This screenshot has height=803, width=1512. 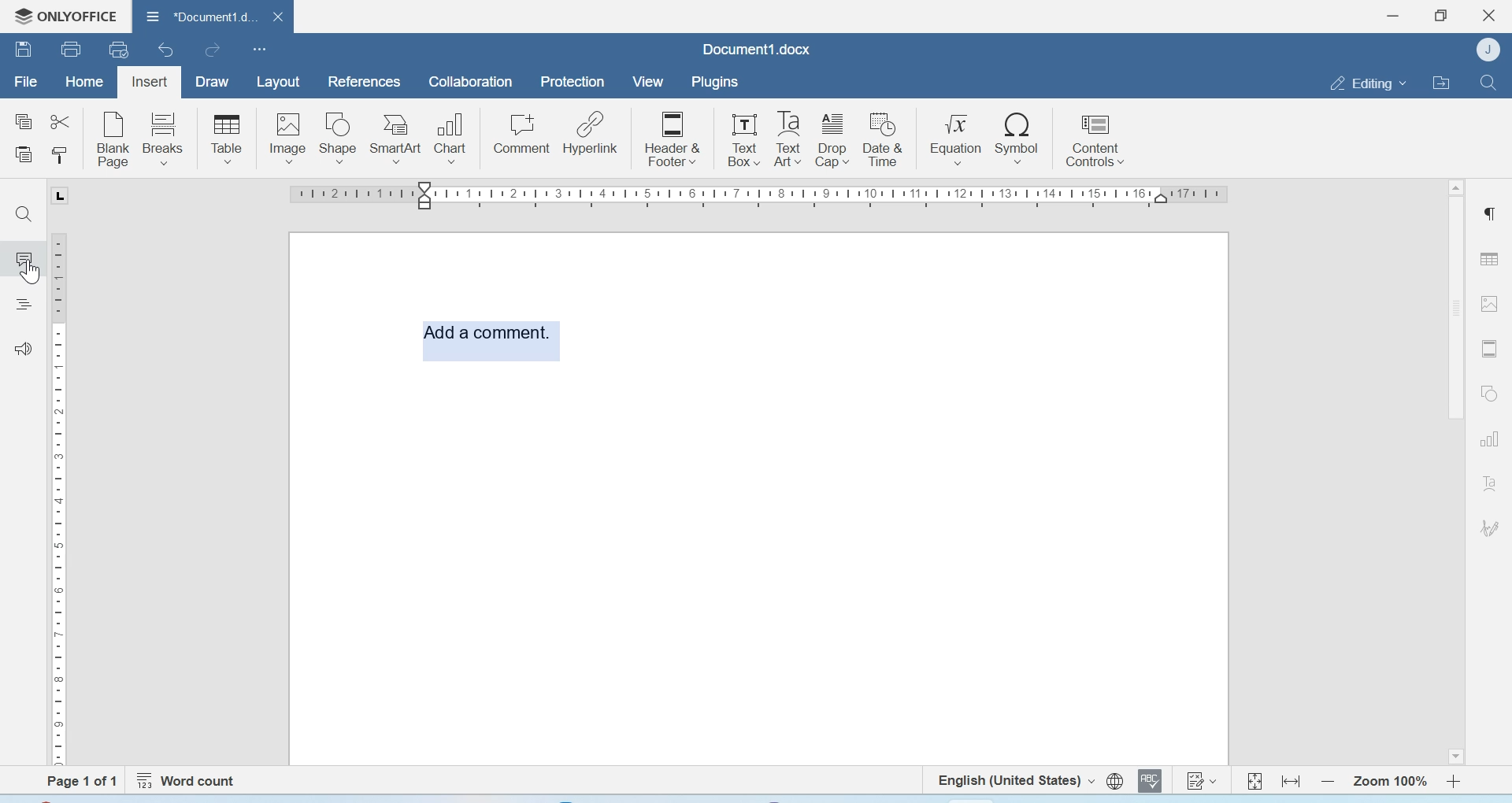 What do you see at coordinates (73, 49) in the screenshot?
I see `Print file` at bounding box center [73, 49].